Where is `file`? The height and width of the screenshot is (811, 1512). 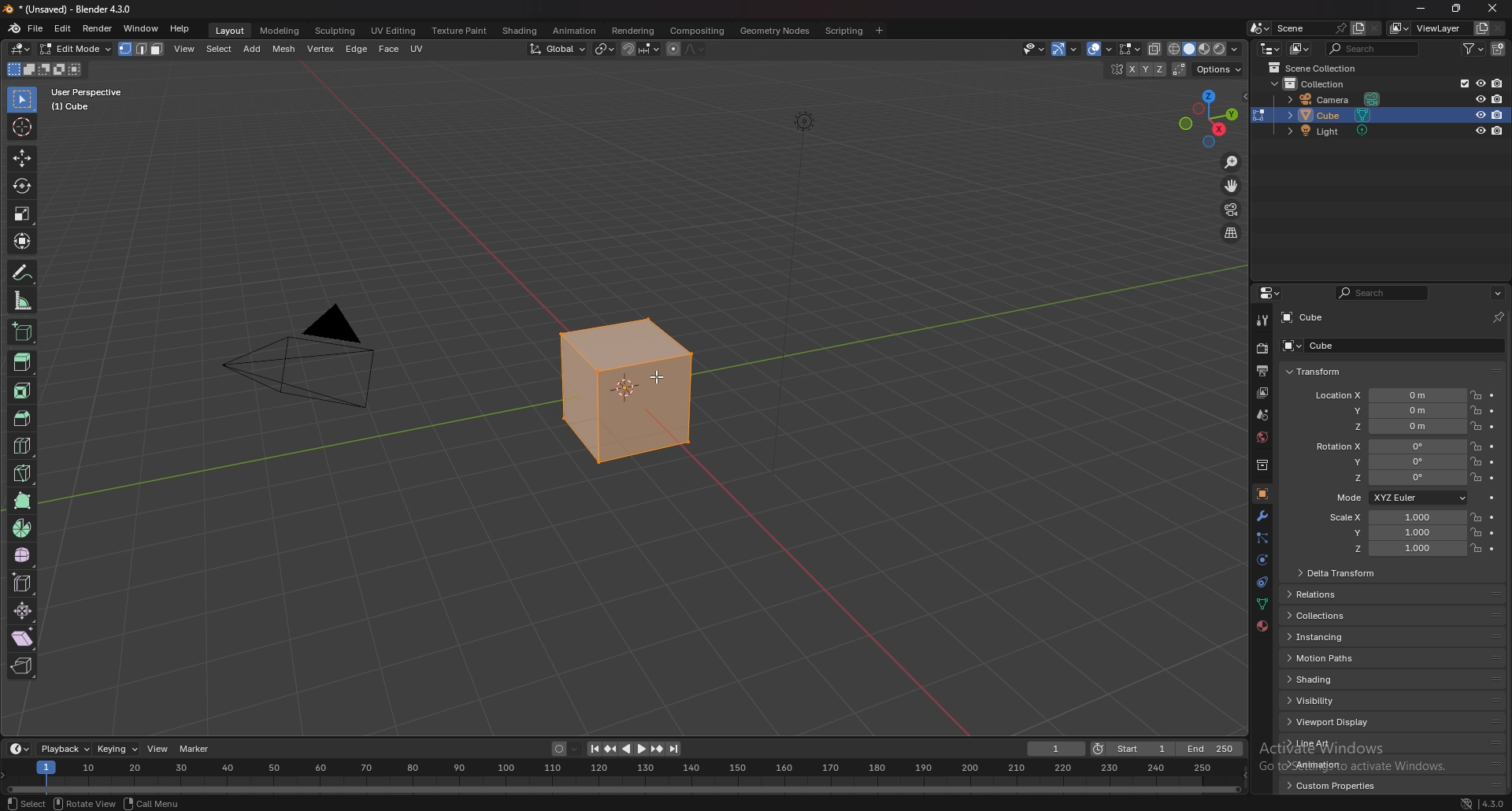
file is located at coordinates (37, 28).